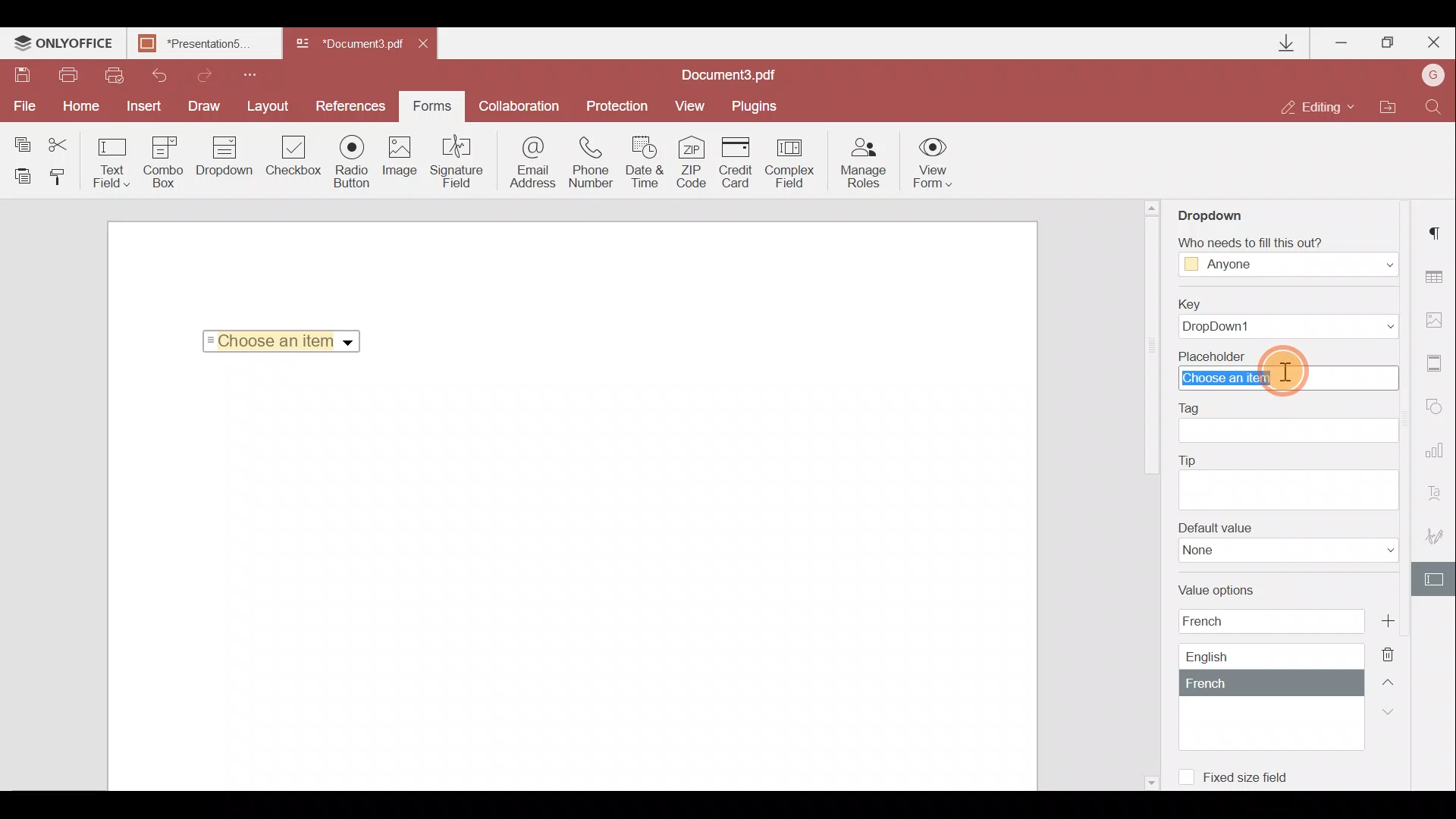 The image size is (1456, 819). Describe the element at coordinates (1432, 39) in the screenshot. I see `Close` at that location.